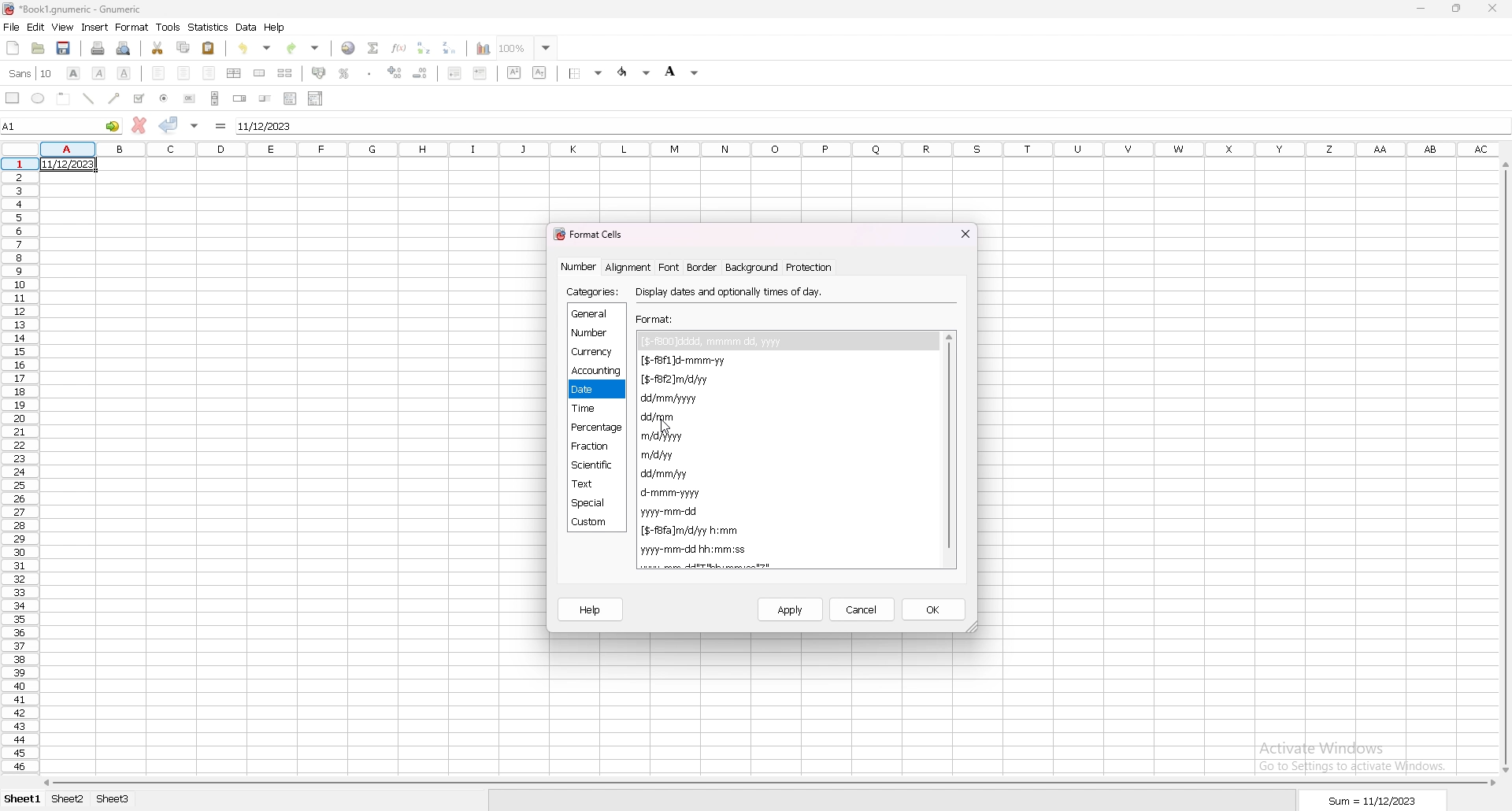  I want to click on decrease indent, so click(420, 73).